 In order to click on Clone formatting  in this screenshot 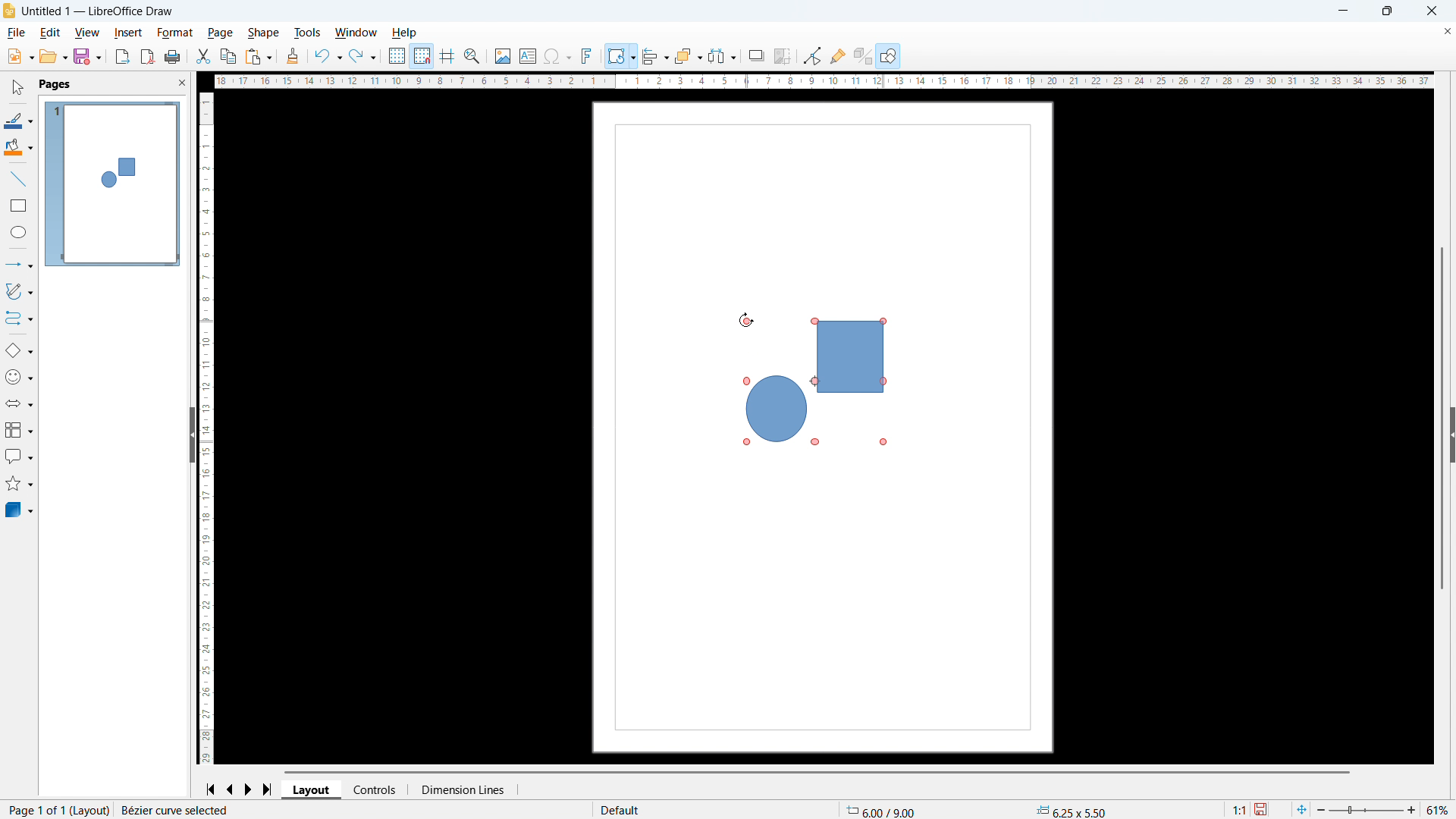, I will do `click(293, 56)`.